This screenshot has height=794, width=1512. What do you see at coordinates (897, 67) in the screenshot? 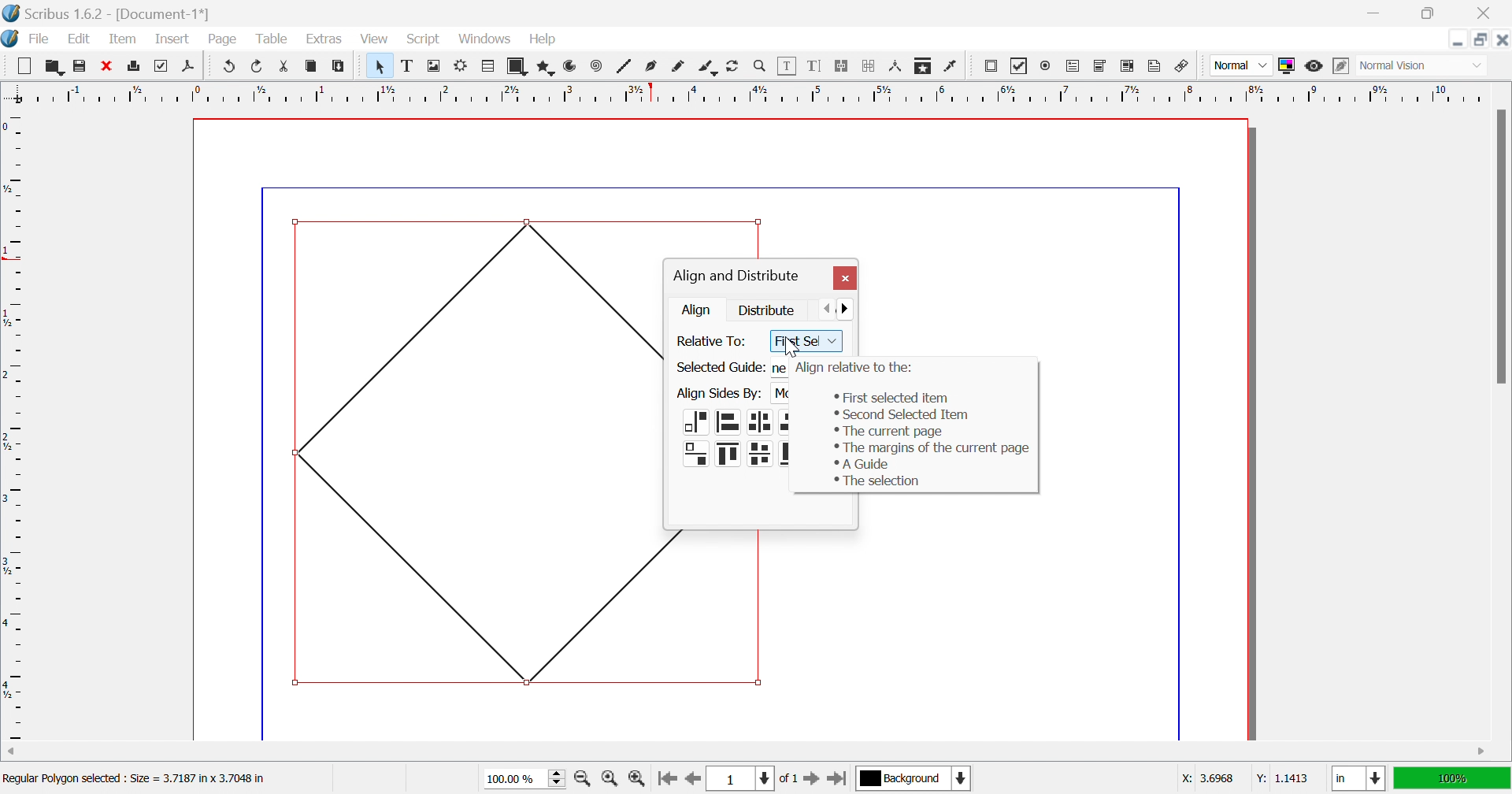
I see `Measurements` at bounding box center [897, 67].